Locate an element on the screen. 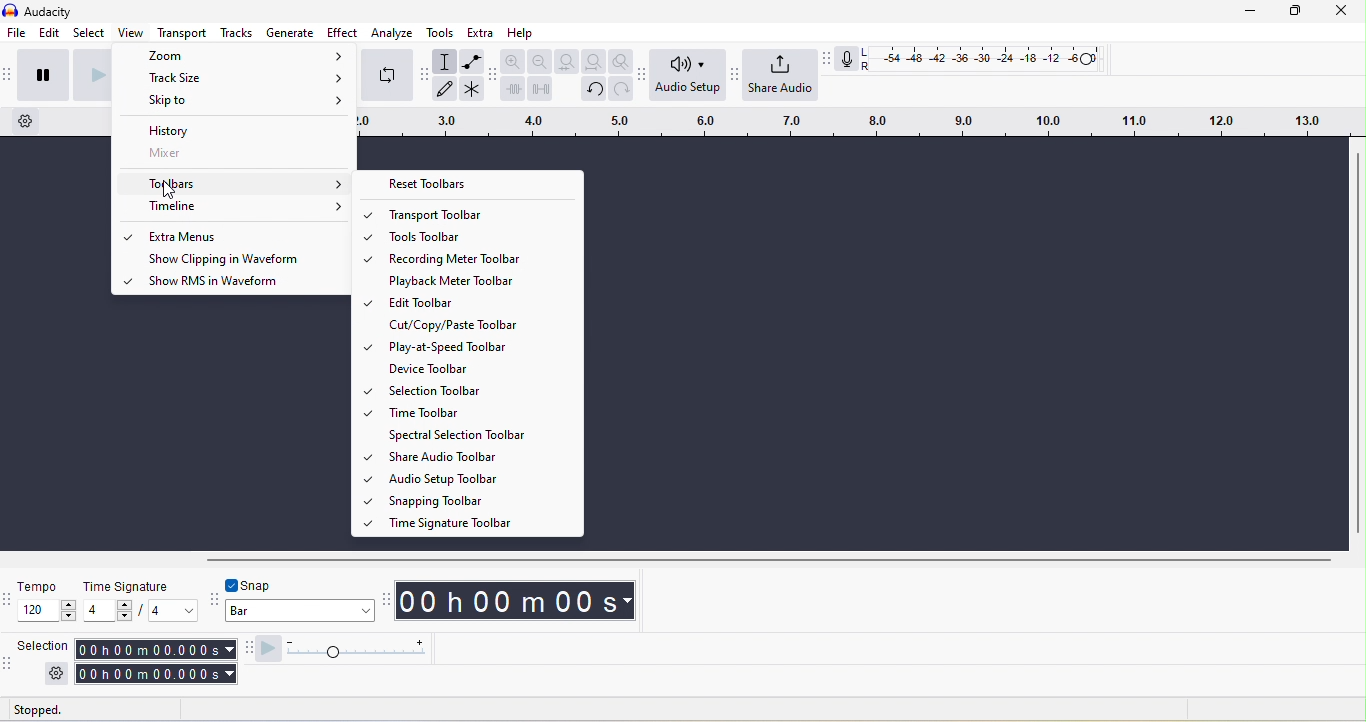 This screenshot has height=722, width=1366. minimize is located at coordinates (1250, 11).